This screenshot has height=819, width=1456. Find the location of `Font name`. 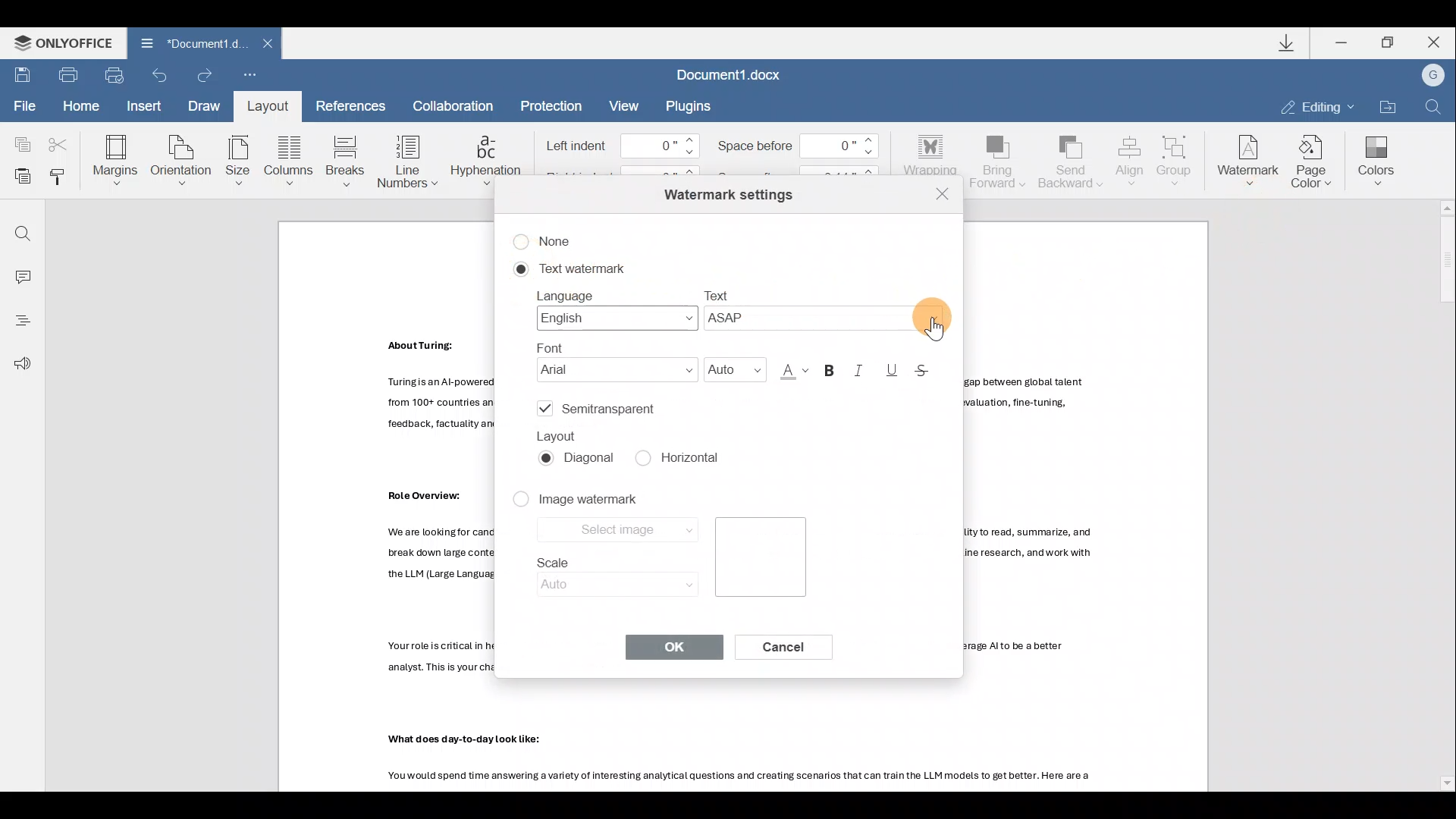

Font name is located at coordinates (610, 361).